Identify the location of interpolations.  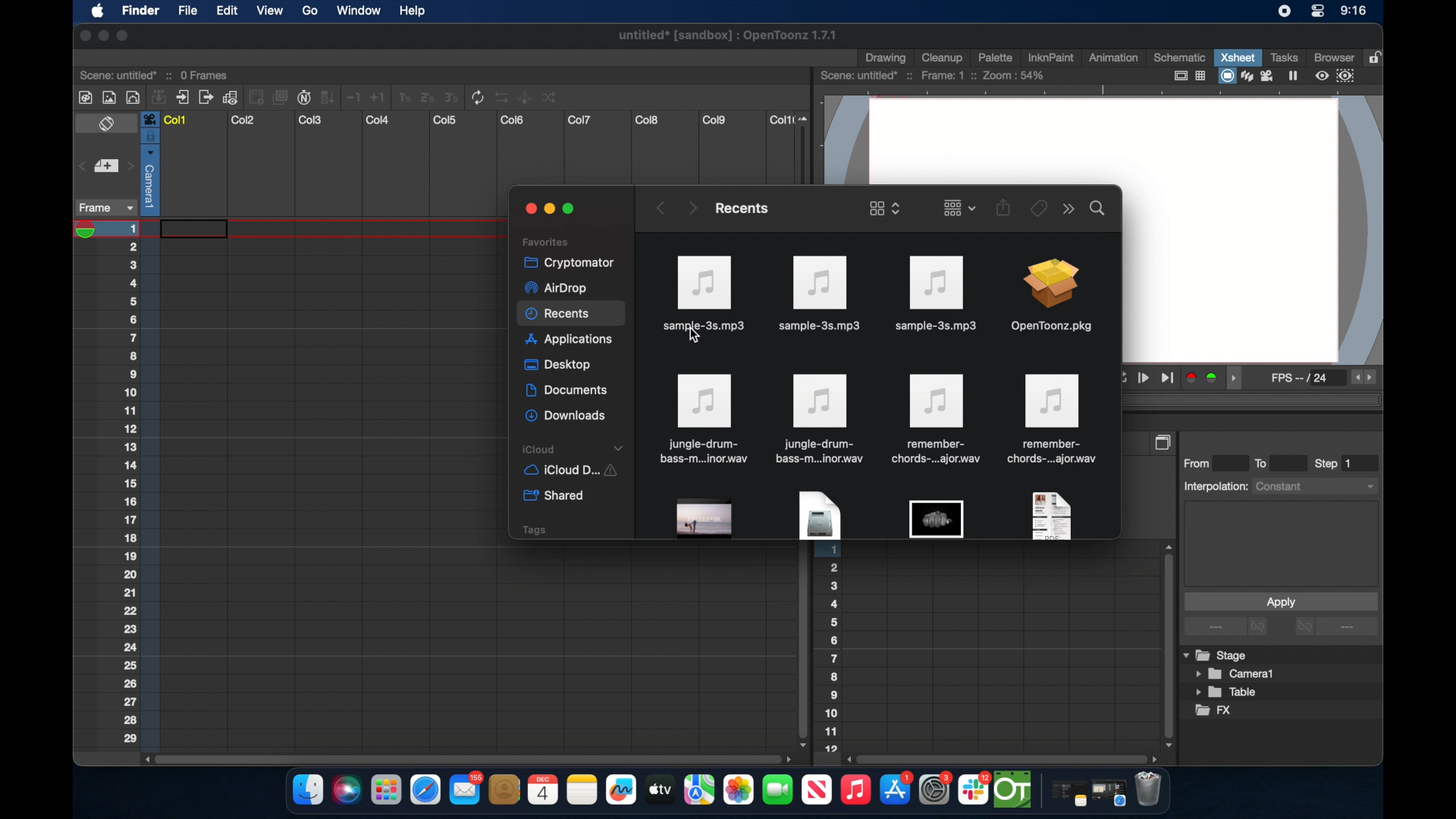
(1279, 485).